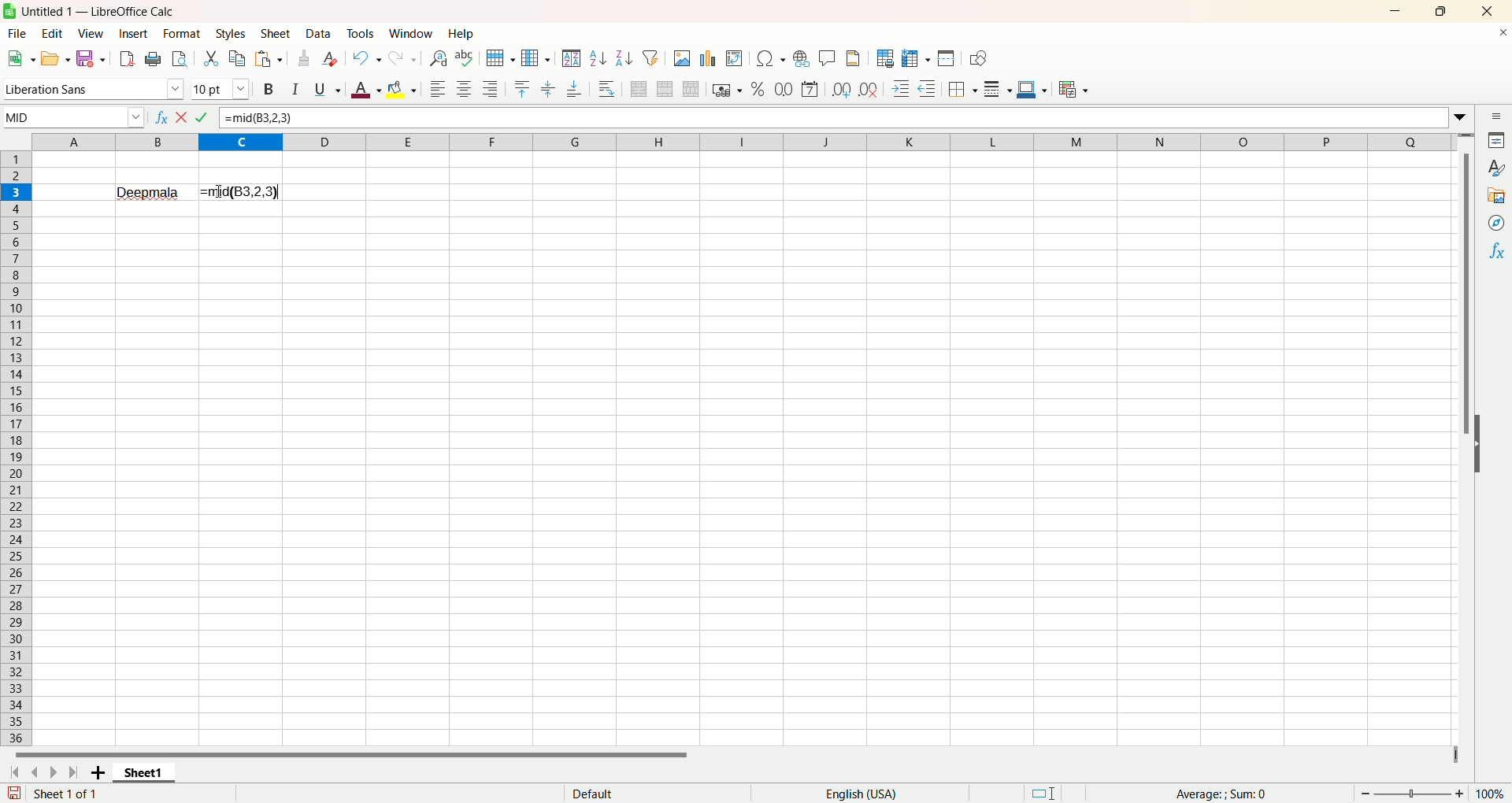 This screenshot has width=1512, height=803. Describe the element at coordinates (1496, 169) in the screenshot. I see `Styles` at that location.